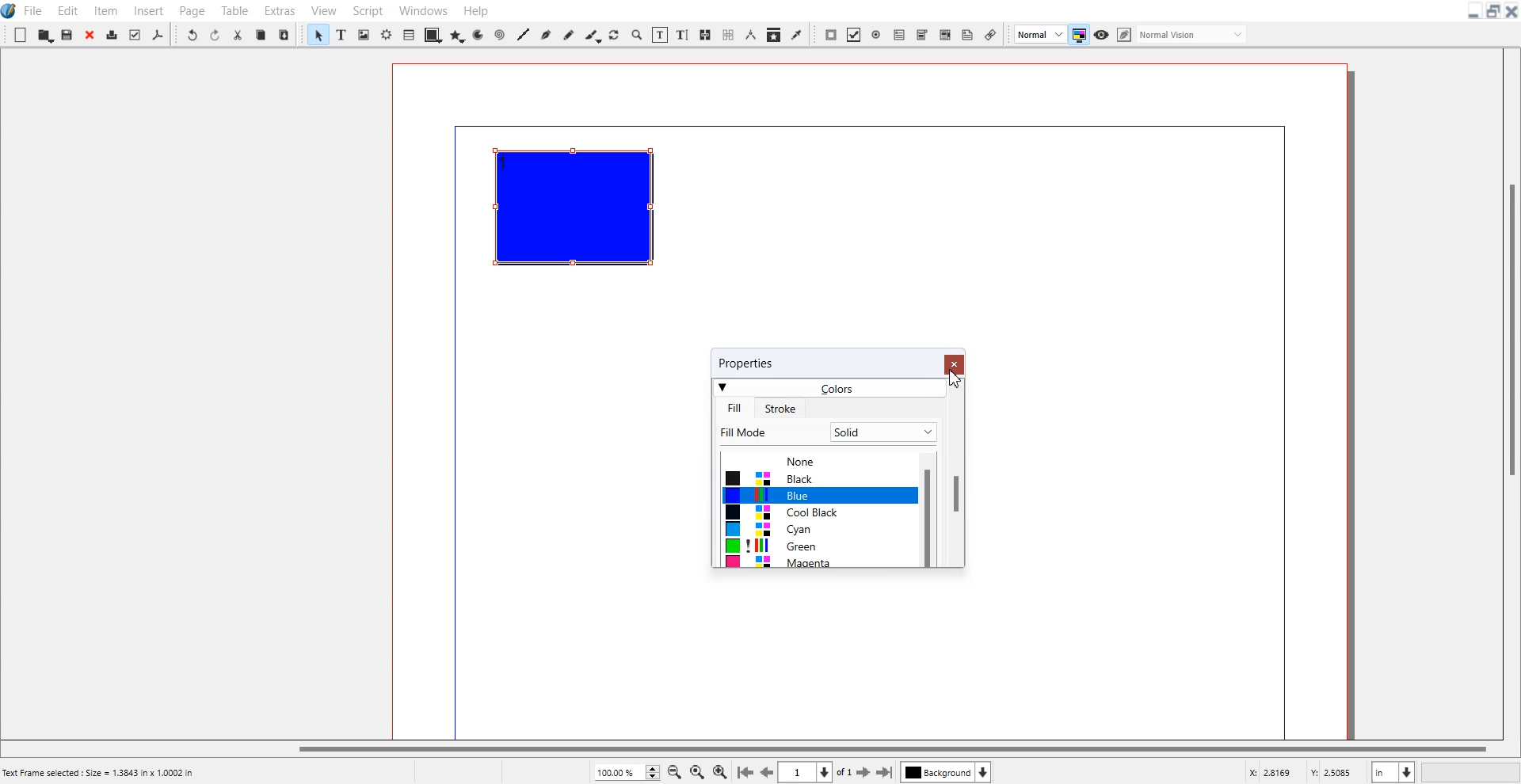  I want to click on Undo, so click(191, 33).